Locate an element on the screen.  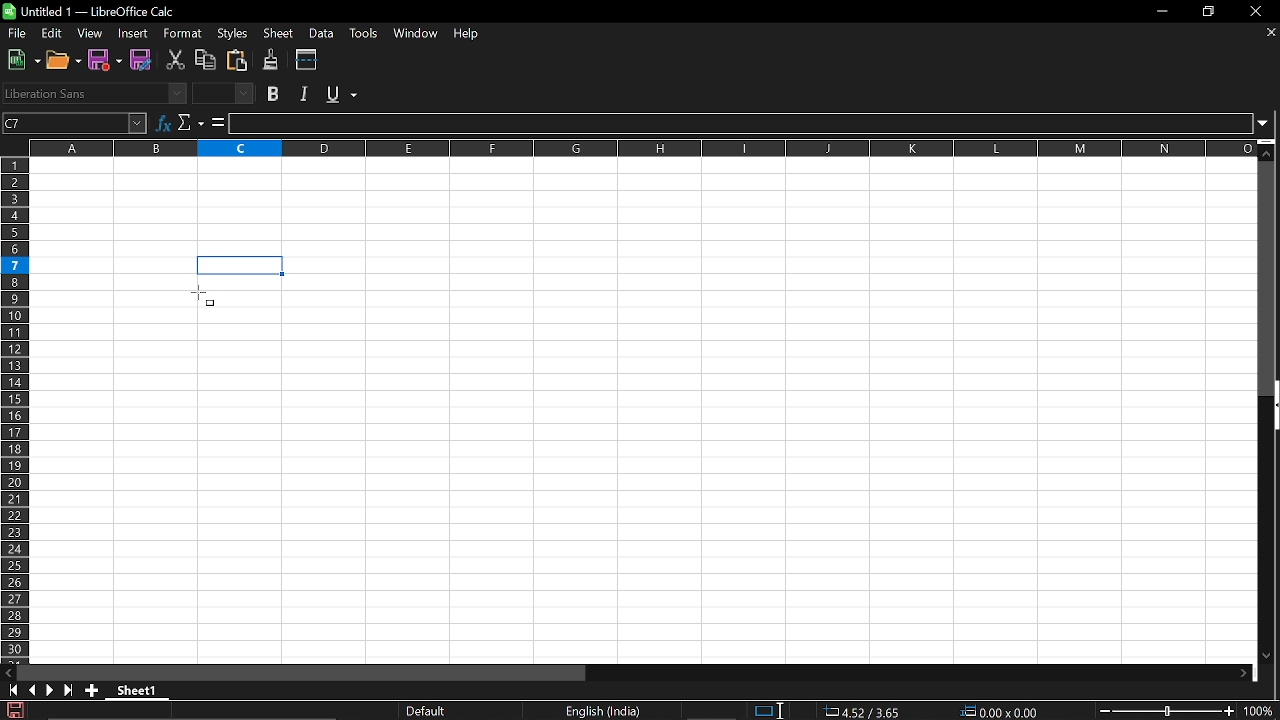
Formula standard selection is located at coordinates (938, 712).